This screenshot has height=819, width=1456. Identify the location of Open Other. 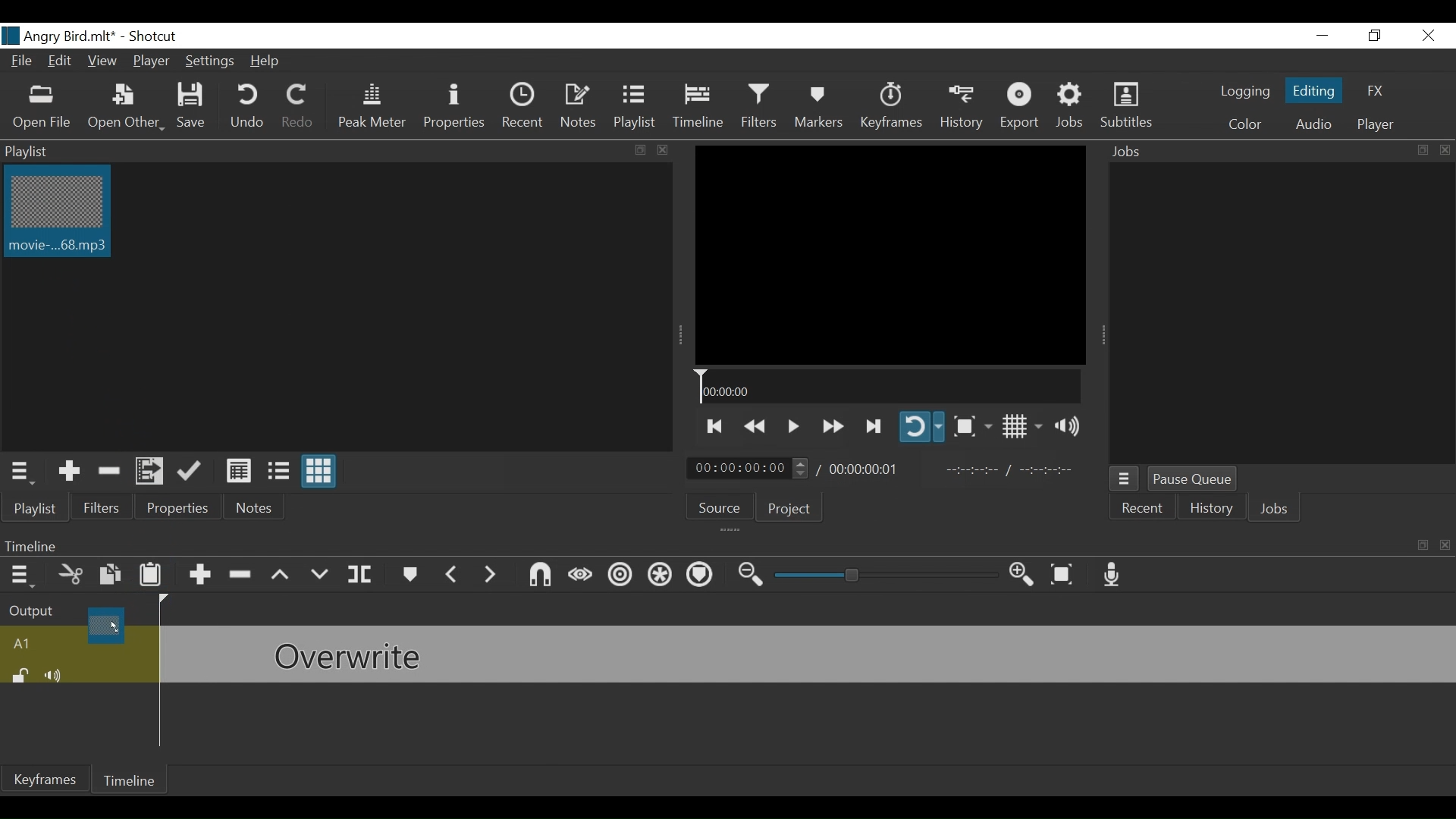
(125, 108).